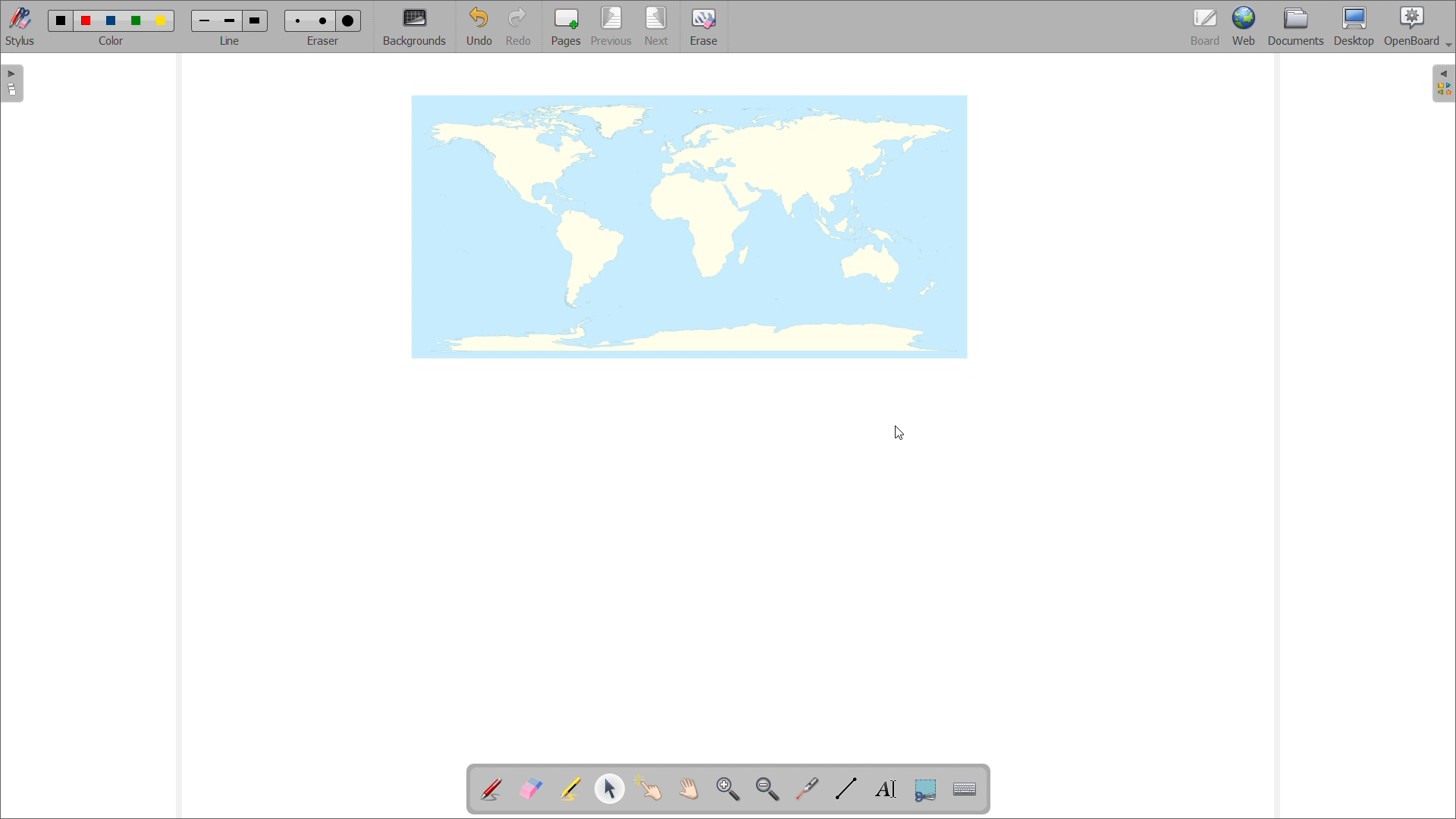  Describe the element at coordinates (61, 20) in the screenshot. I see `black` at that location.